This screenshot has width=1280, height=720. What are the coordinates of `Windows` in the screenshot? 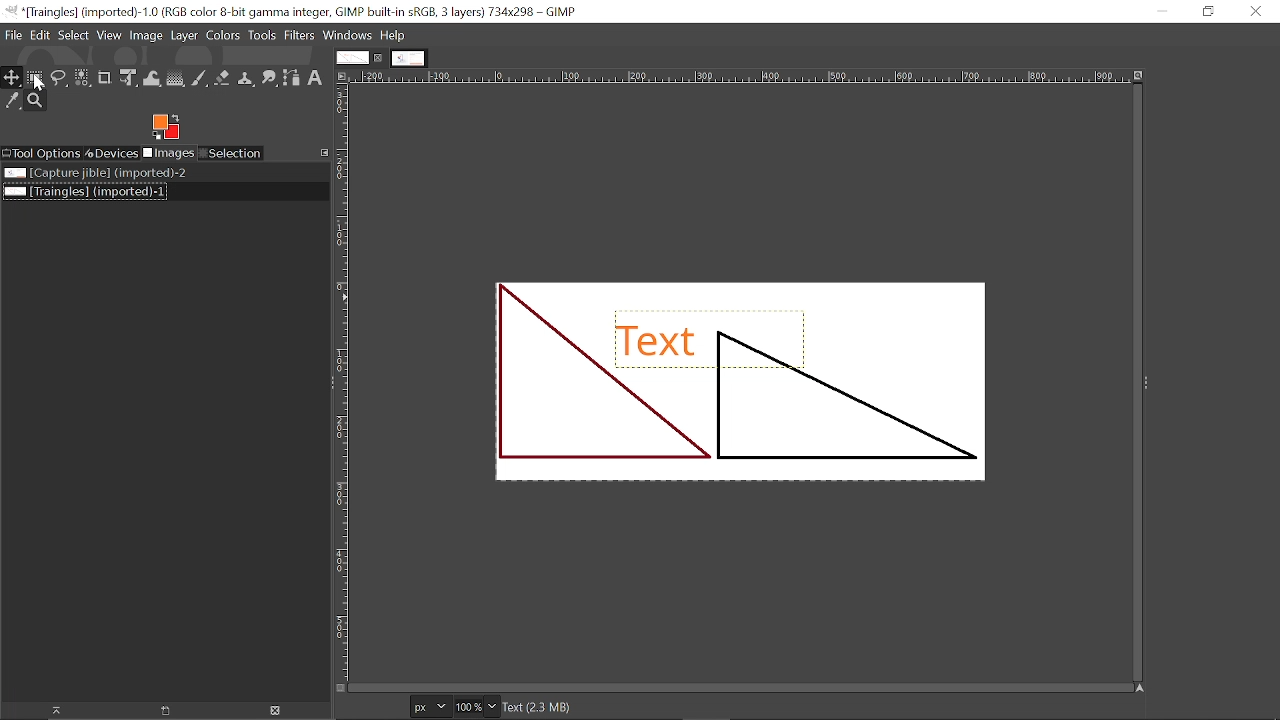 It's located at (347, 36).